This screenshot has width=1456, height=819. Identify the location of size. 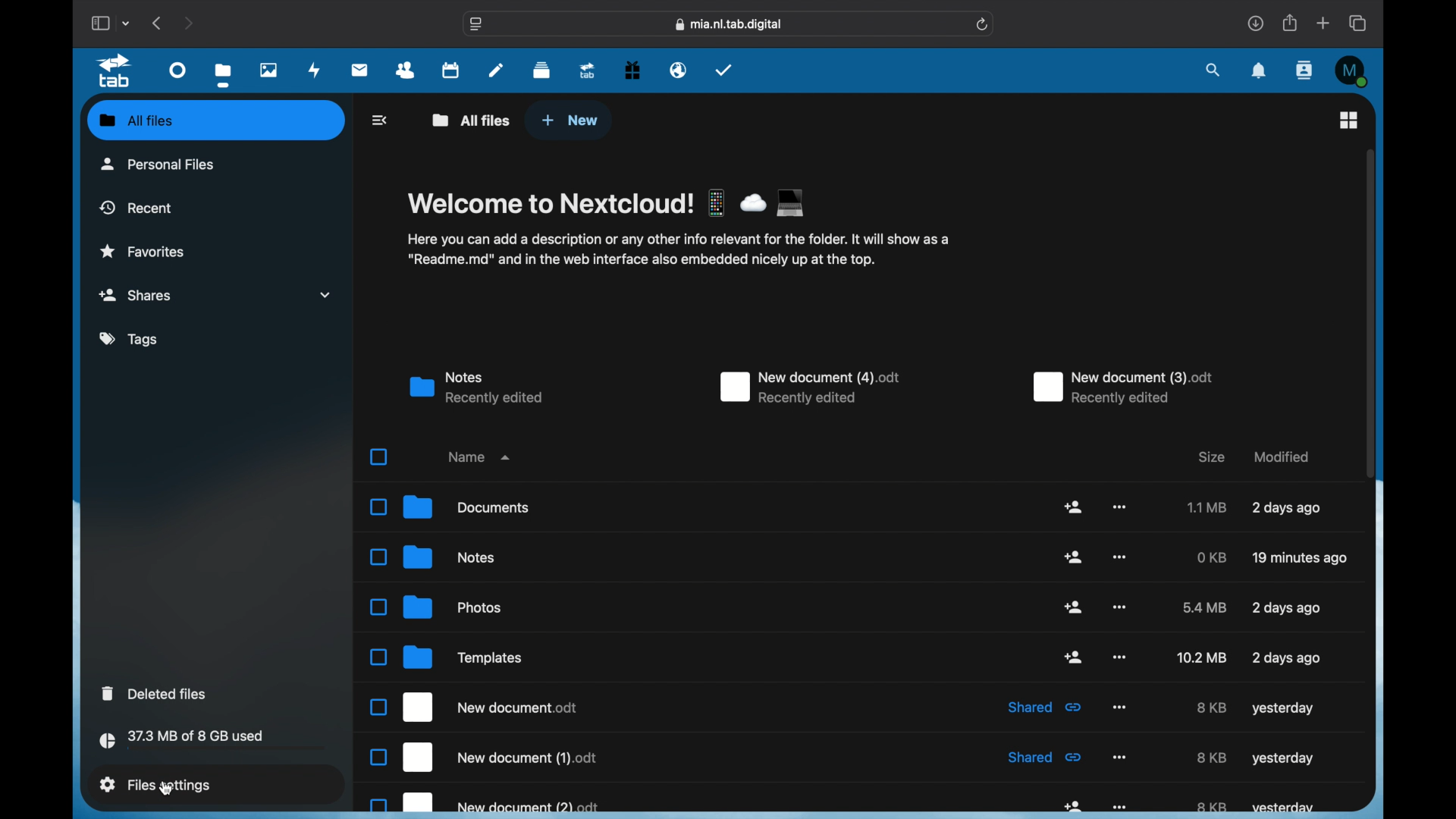
(1209, 507).